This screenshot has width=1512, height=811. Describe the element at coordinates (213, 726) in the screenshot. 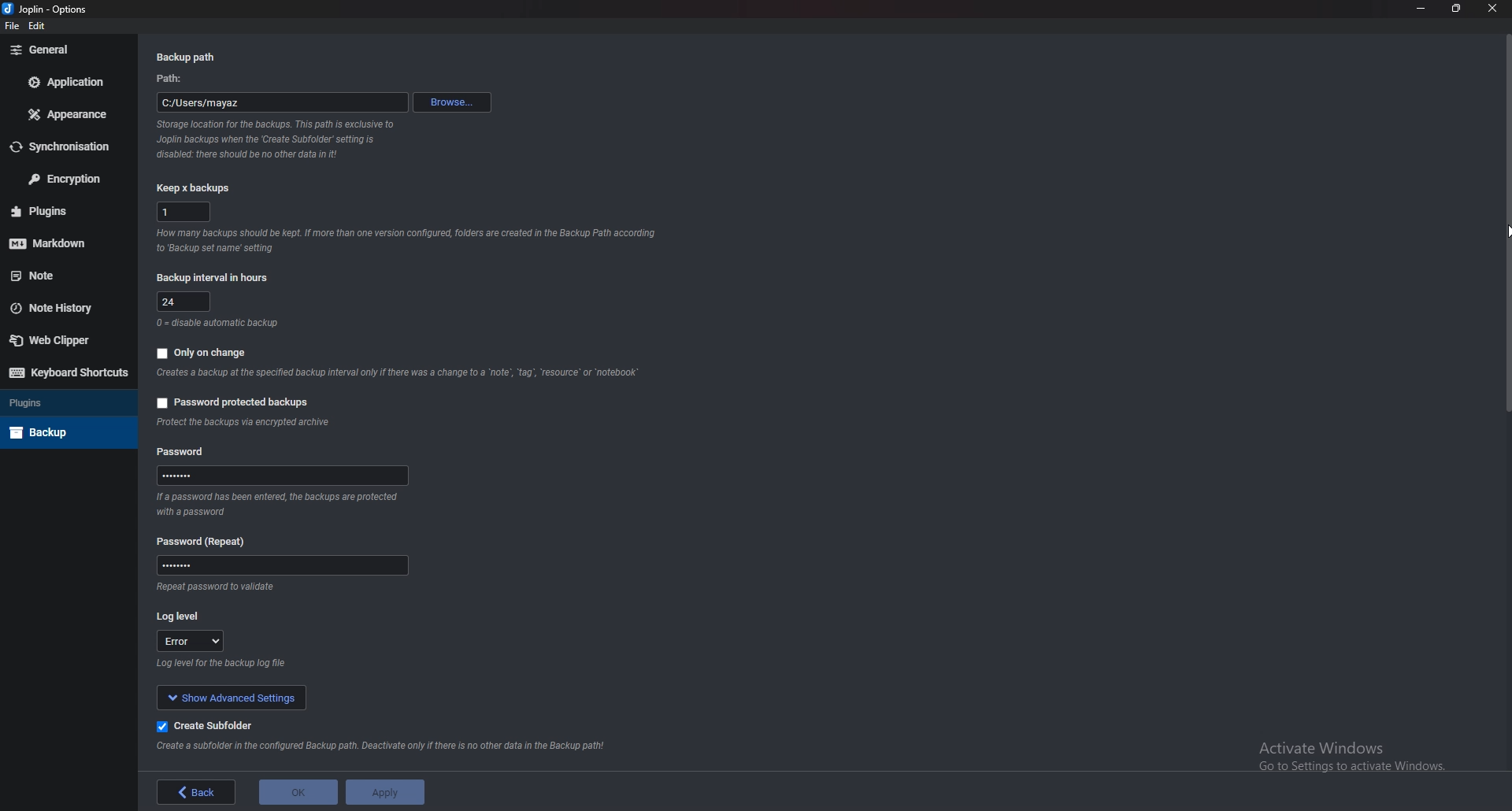

I see `Create subfolder` at that location.